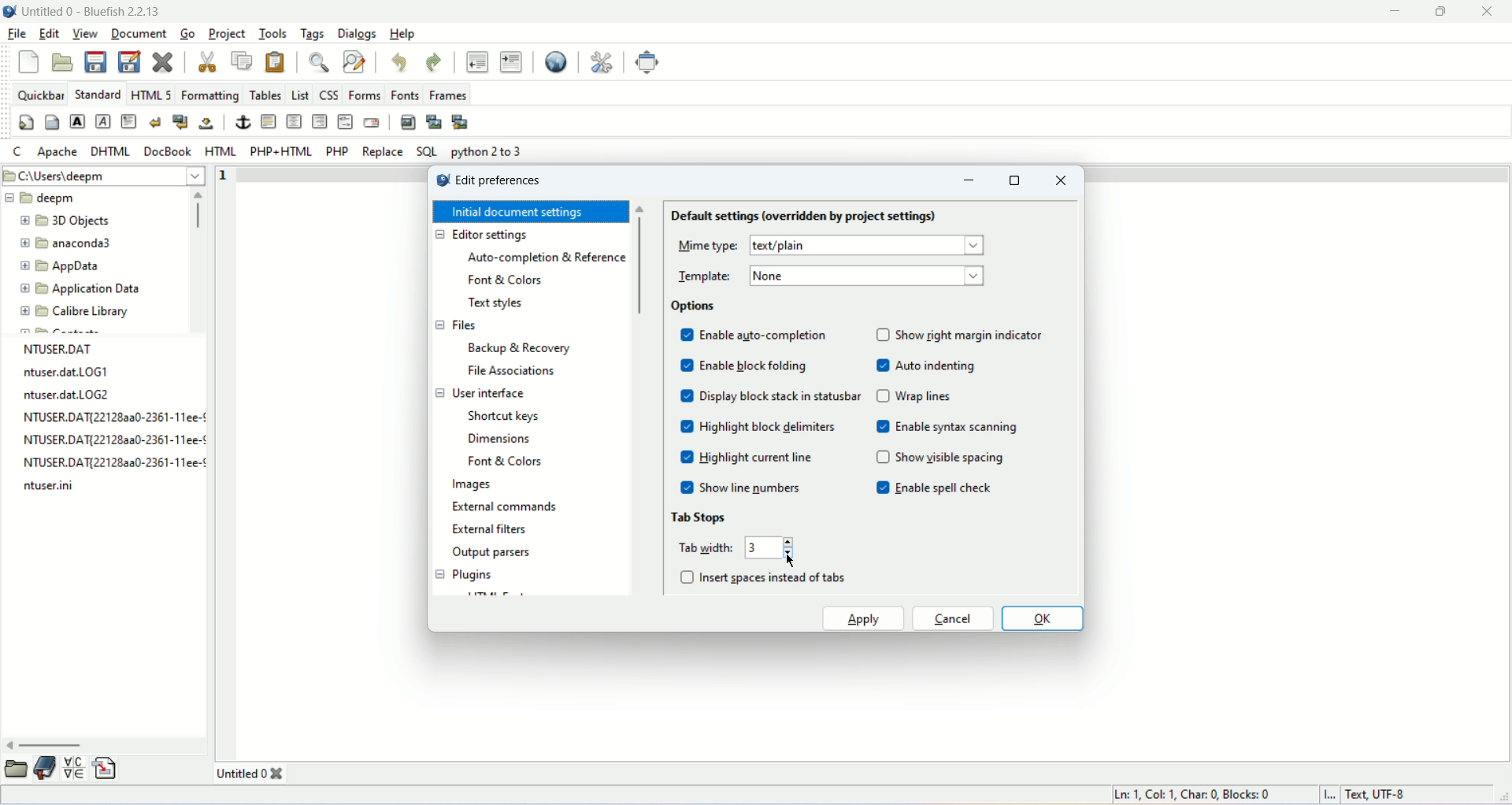 The width and height of the screenshot is (1512, 805). I want to click on check box, so click(687, 577).